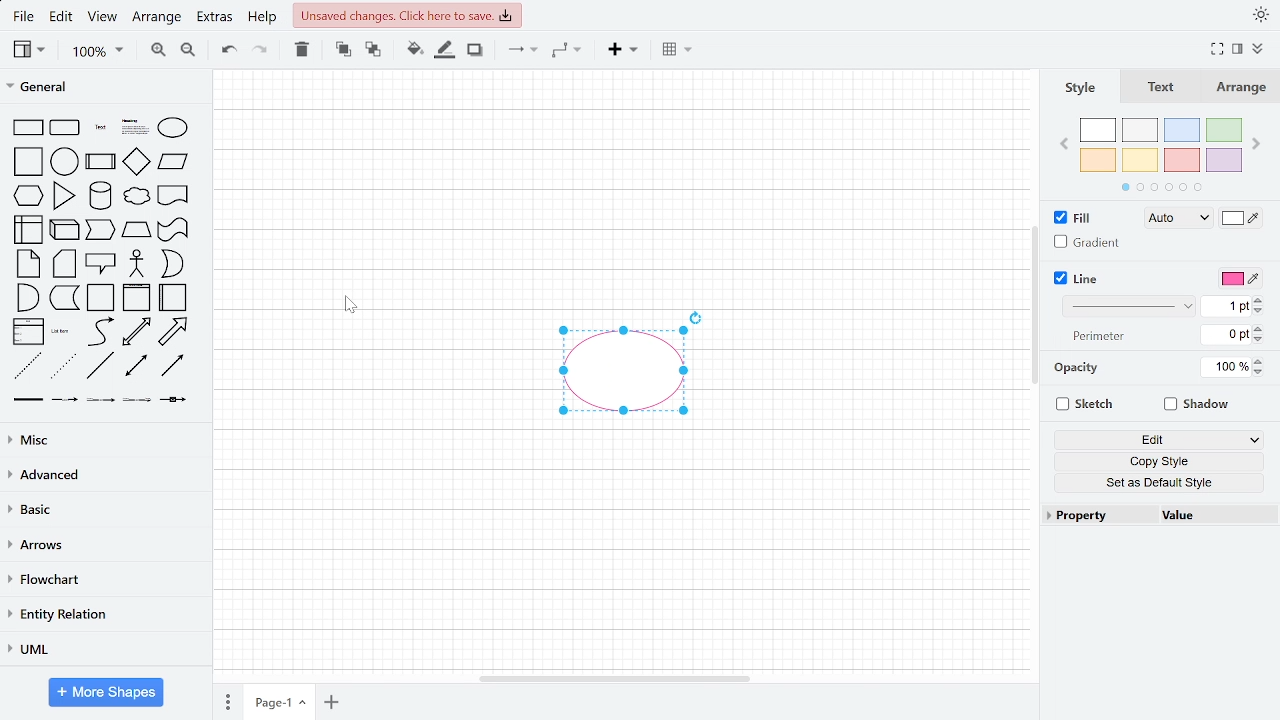  Describe the element at coordinates (26, 163) in the screenshot. I see `square` at that location.